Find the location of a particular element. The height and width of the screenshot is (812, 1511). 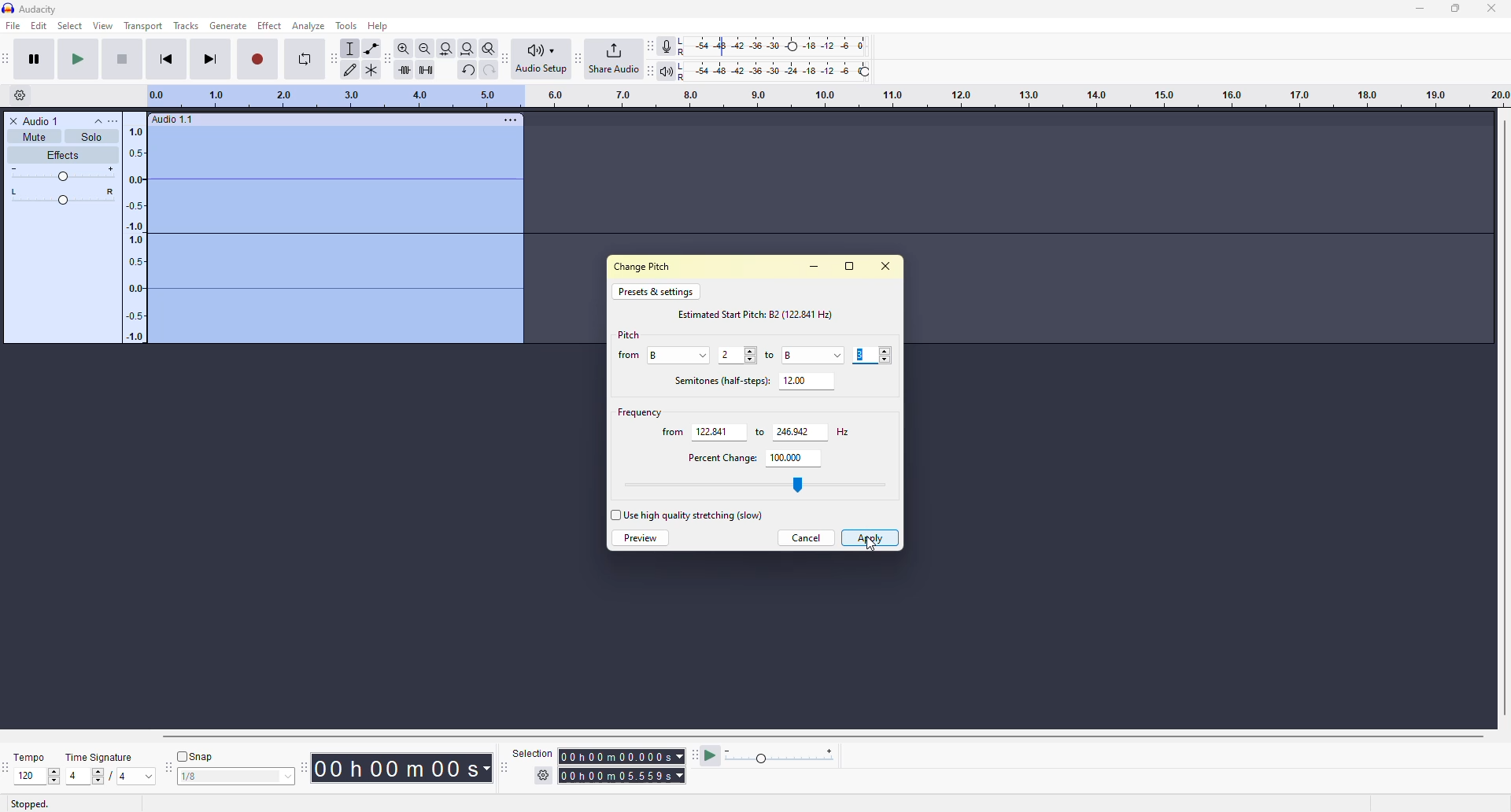

stopped is located at coordinates (29, 803).